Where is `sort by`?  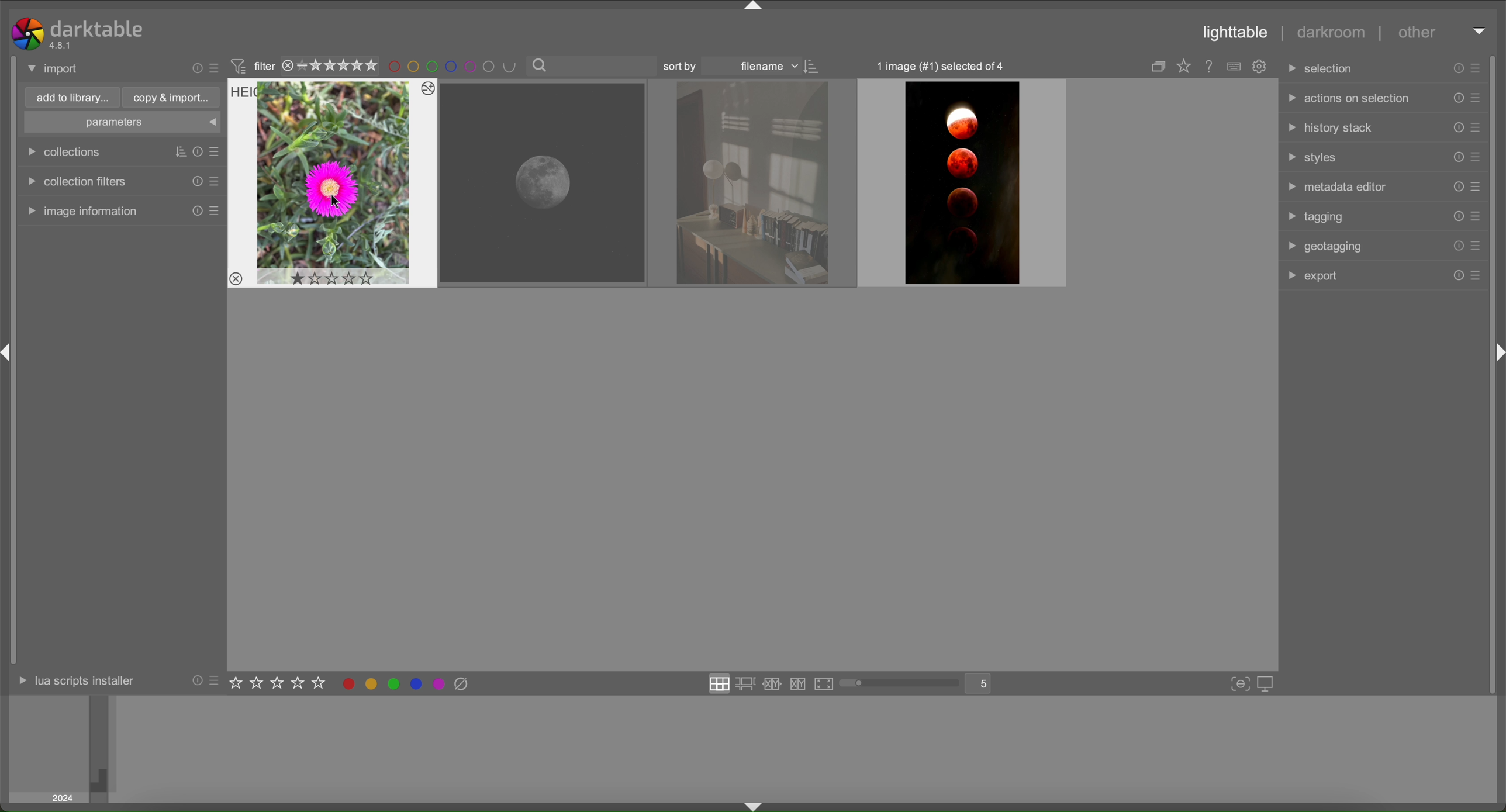 sort by is located at coordinates (683, 67).